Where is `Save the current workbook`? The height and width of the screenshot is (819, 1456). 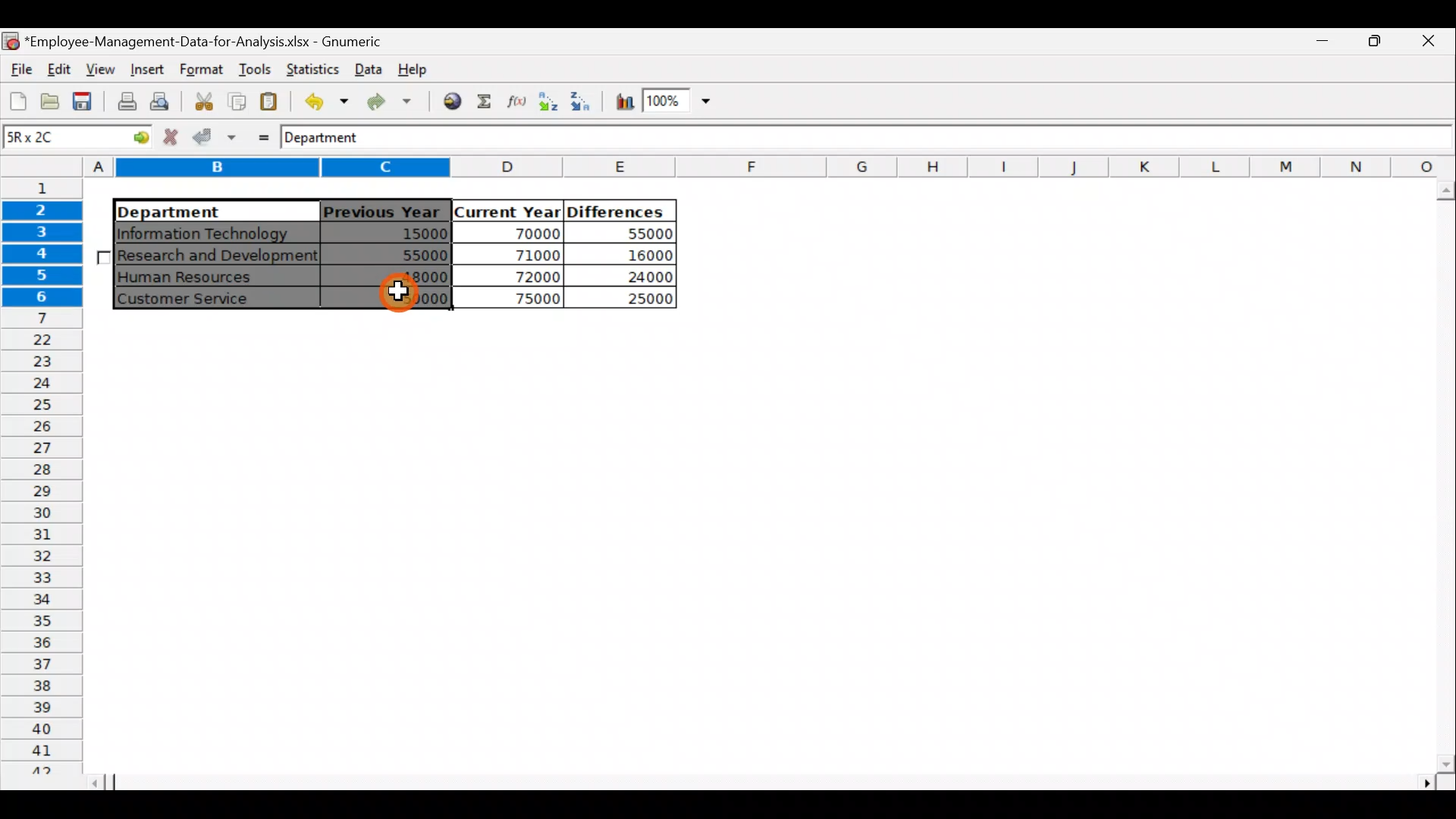
Save the current workbook is located at coordinates (83, 102).